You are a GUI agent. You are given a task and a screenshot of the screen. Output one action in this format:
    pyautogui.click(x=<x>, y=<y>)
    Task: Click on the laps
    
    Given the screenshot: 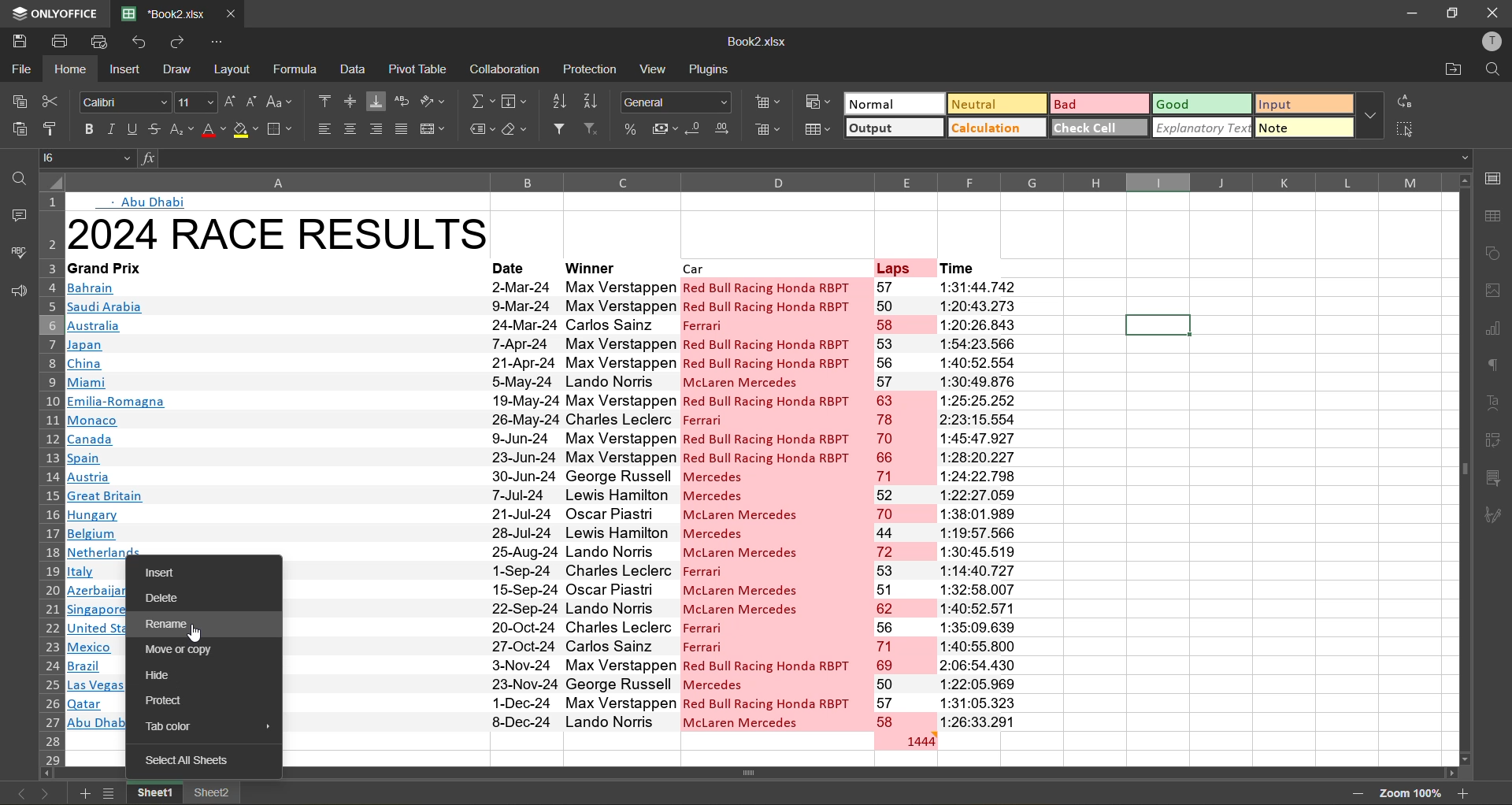 What is the action you would take?
    pyautogui.click(x=902, y=266)
    